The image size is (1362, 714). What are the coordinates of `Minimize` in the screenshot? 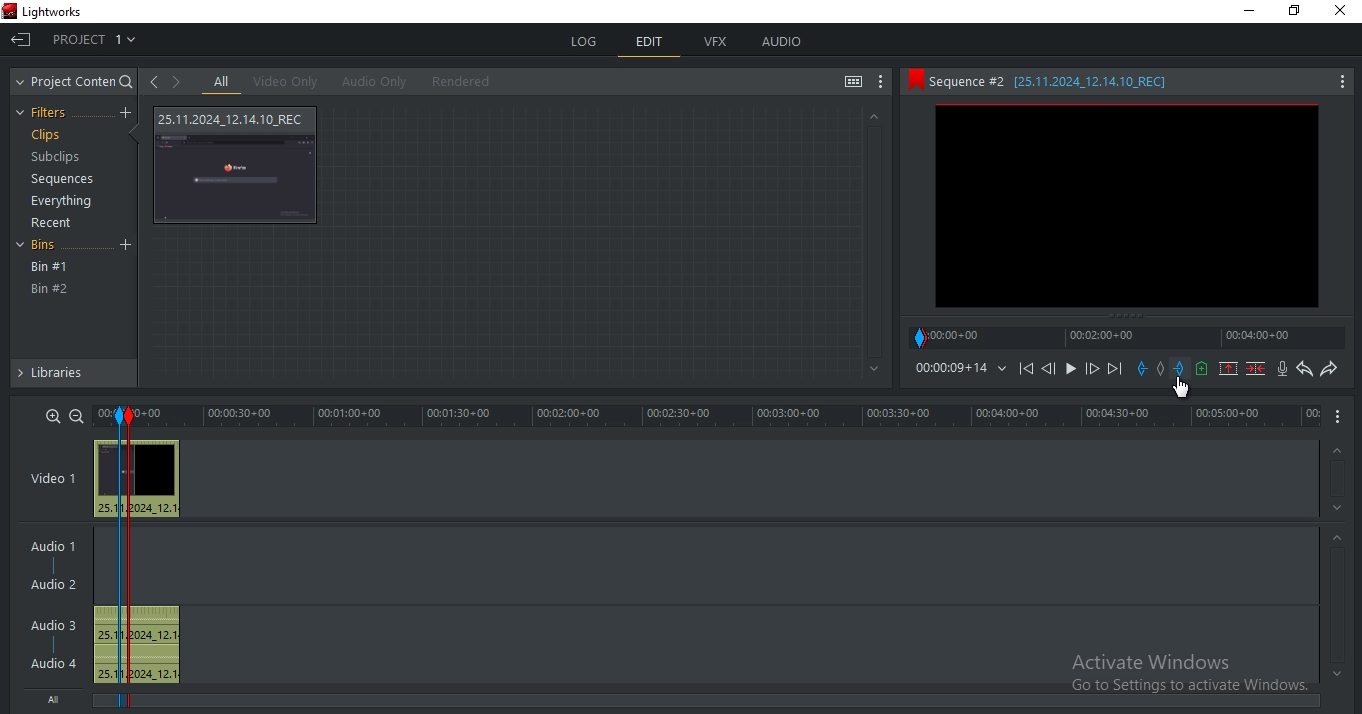 It's located at (1246, 12).